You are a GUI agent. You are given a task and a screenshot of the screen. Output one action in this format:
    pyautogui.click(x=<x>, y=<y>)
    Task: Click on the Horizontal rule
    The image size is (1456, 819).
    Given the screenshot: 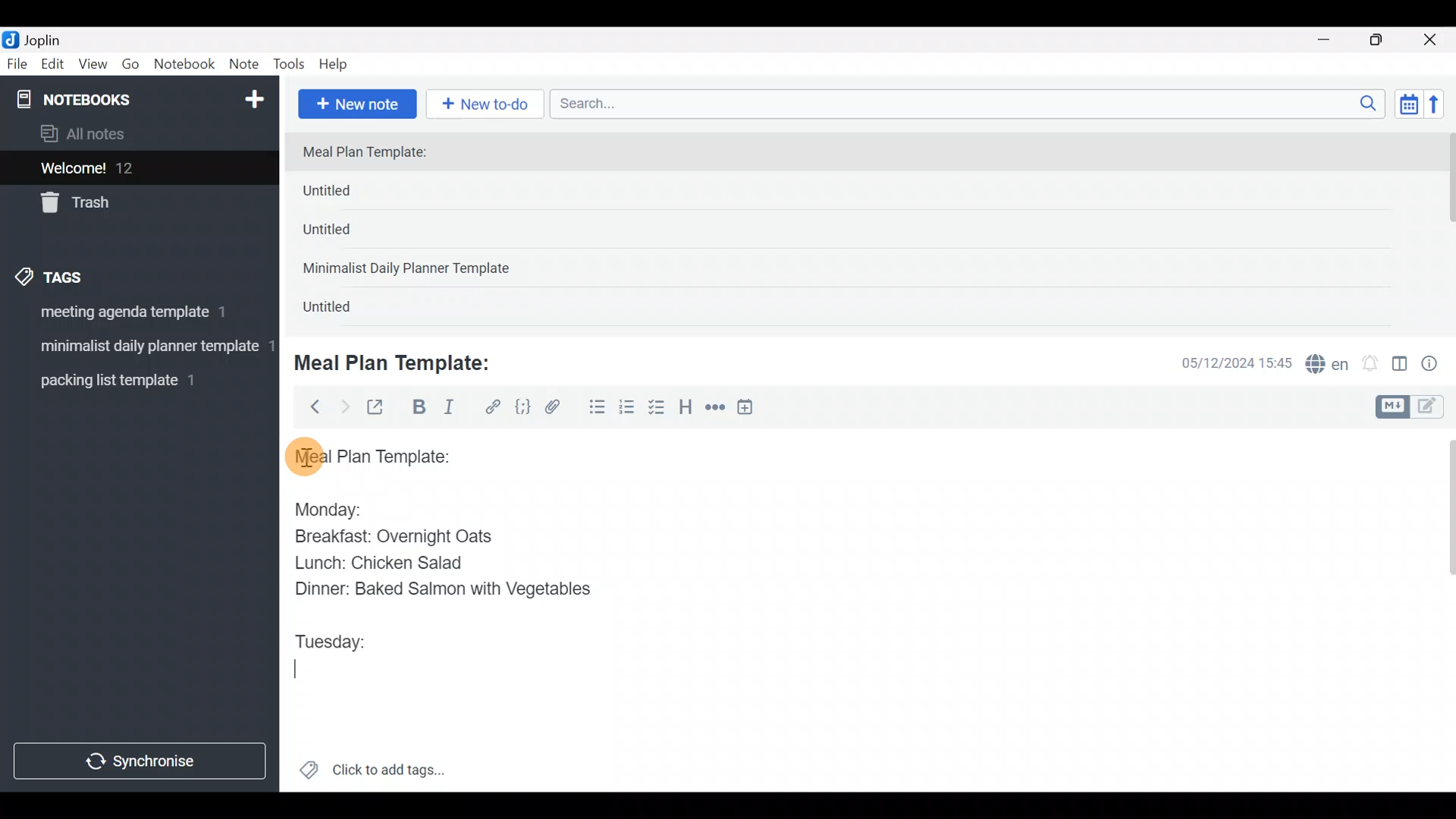 What is the action you would take?
    pyautogui.click(x=715, y=409)
    